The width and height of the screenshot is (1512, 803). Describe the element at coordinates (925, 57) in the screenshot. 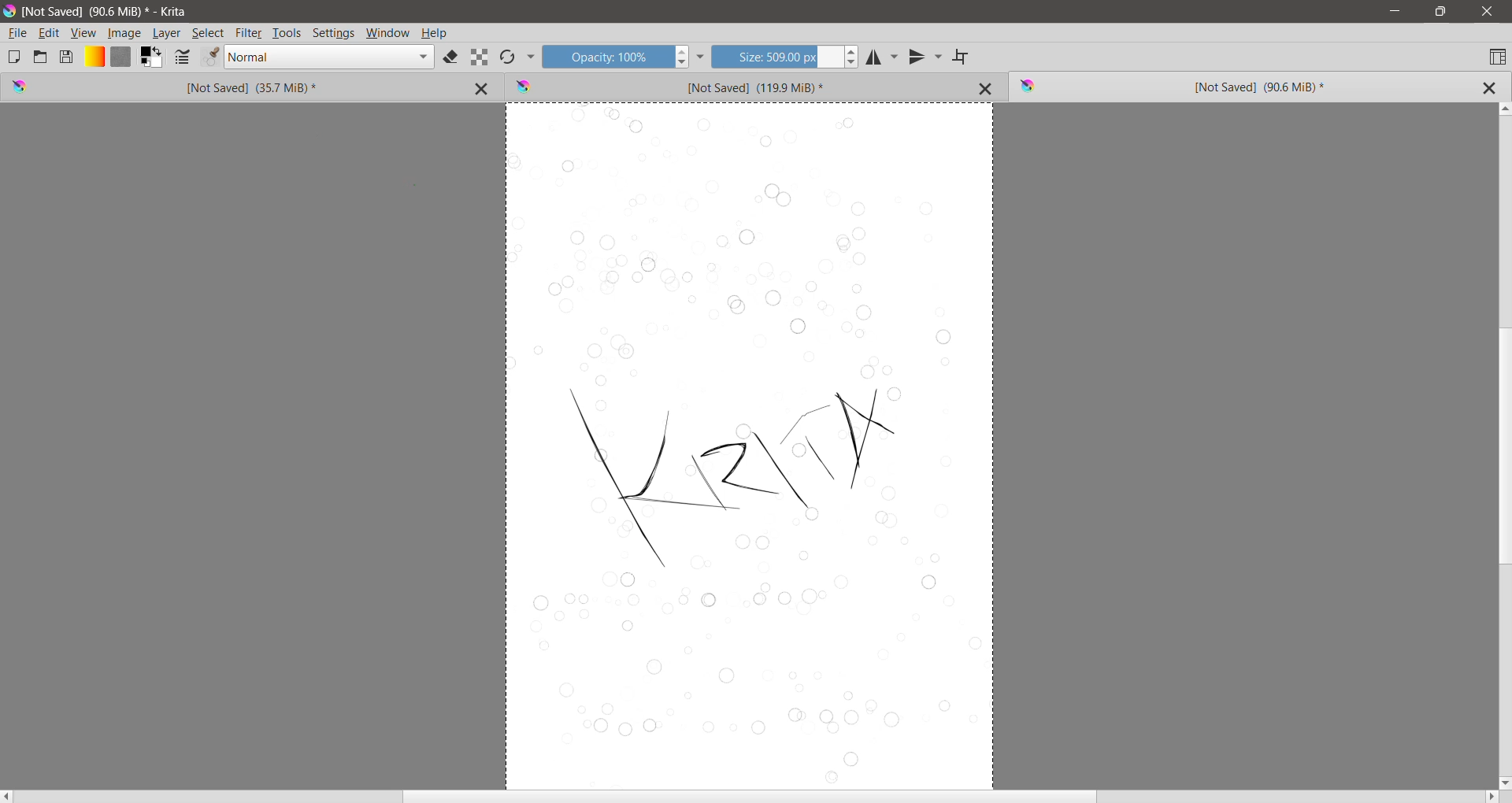

I see `Vertical Mirror Tool` at that location.